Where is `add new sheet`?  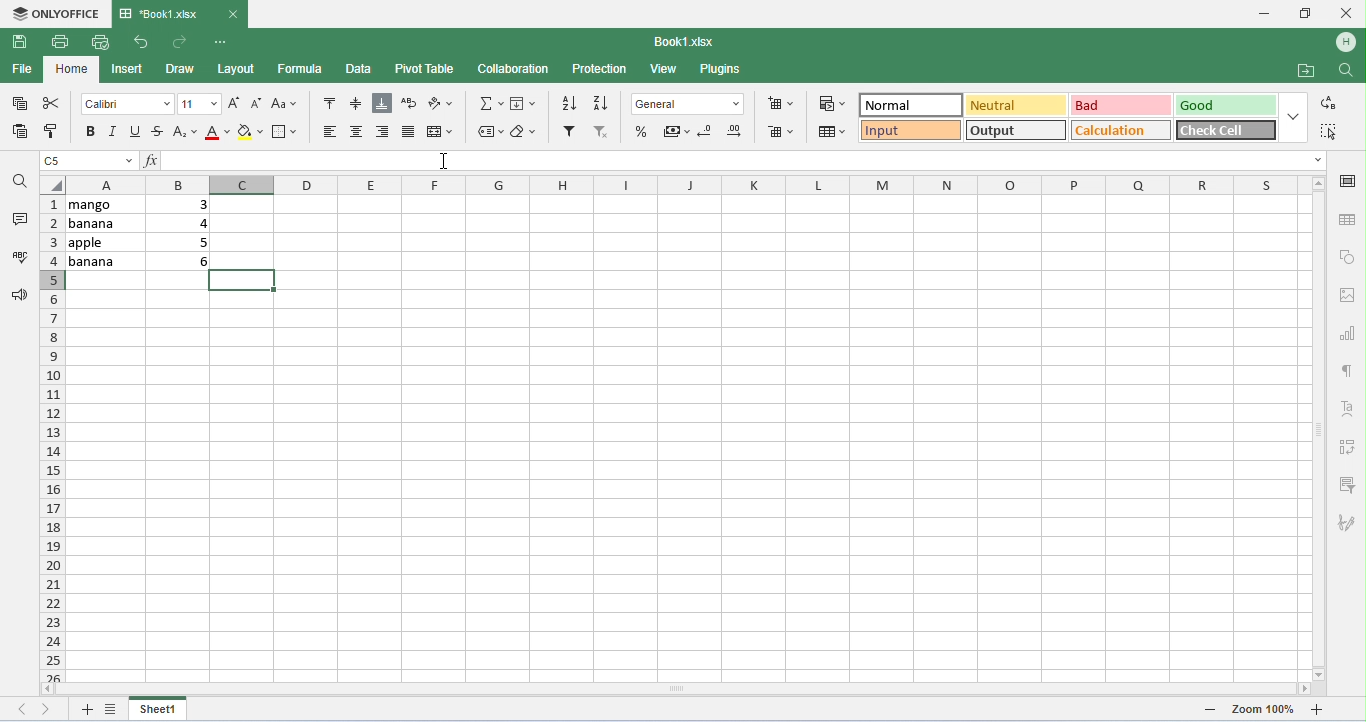 add new sheet is located at coordinates (85, 709).